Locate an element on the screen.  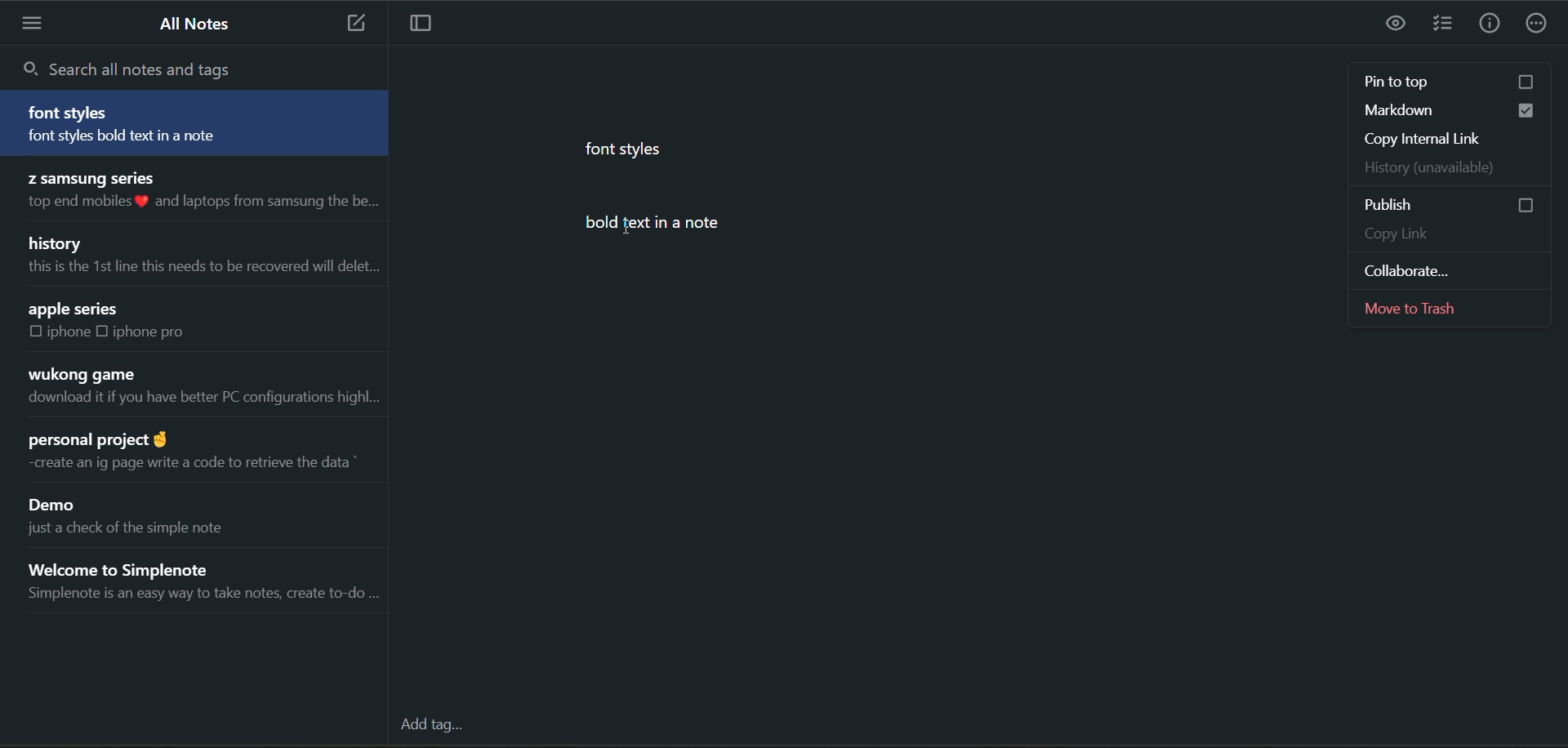
font styles is located at coordinates (72, 113).